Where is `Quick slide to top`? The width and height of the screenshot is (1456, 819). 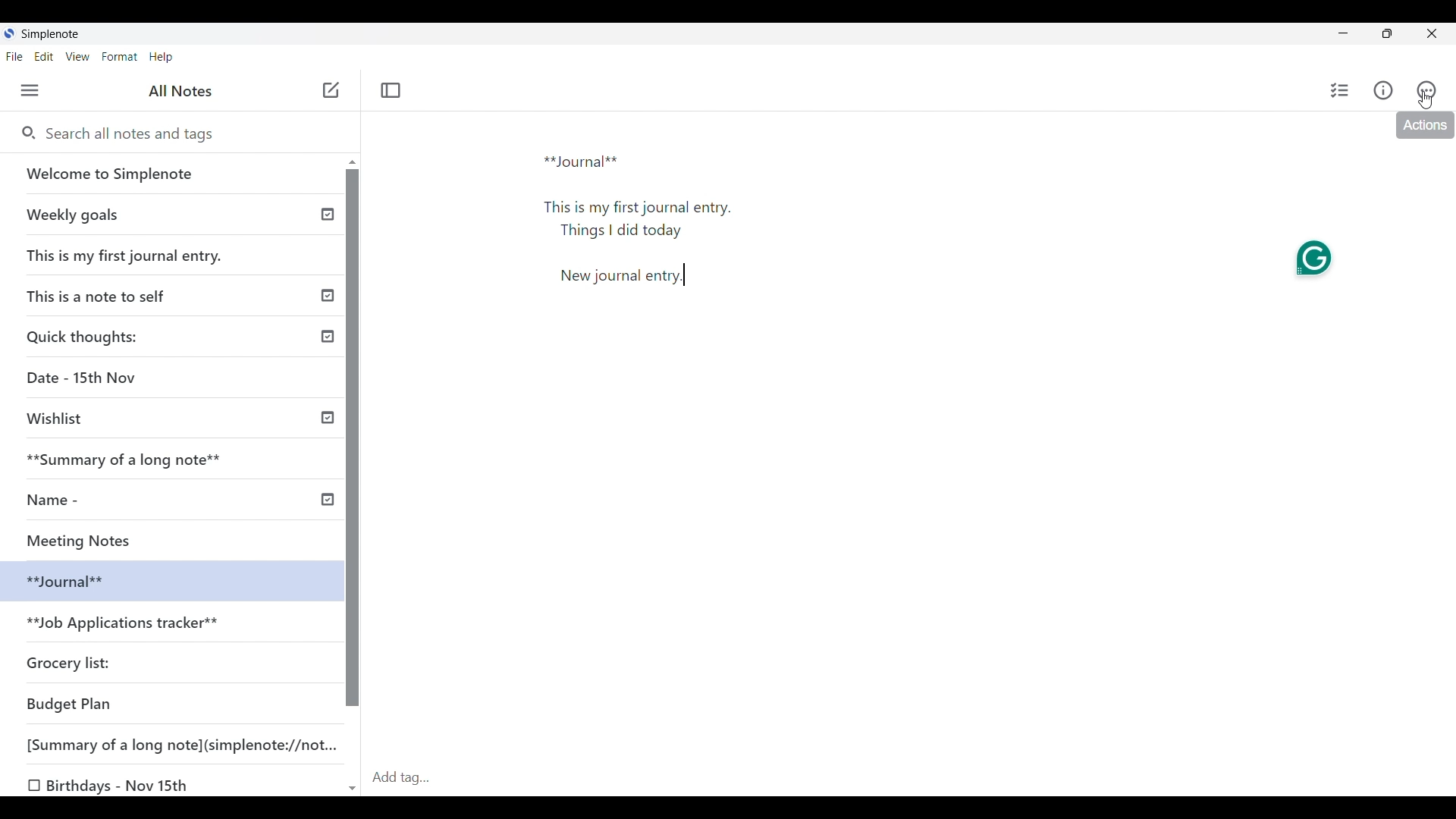 Quick slide to top is located at coordinates (353, 162).